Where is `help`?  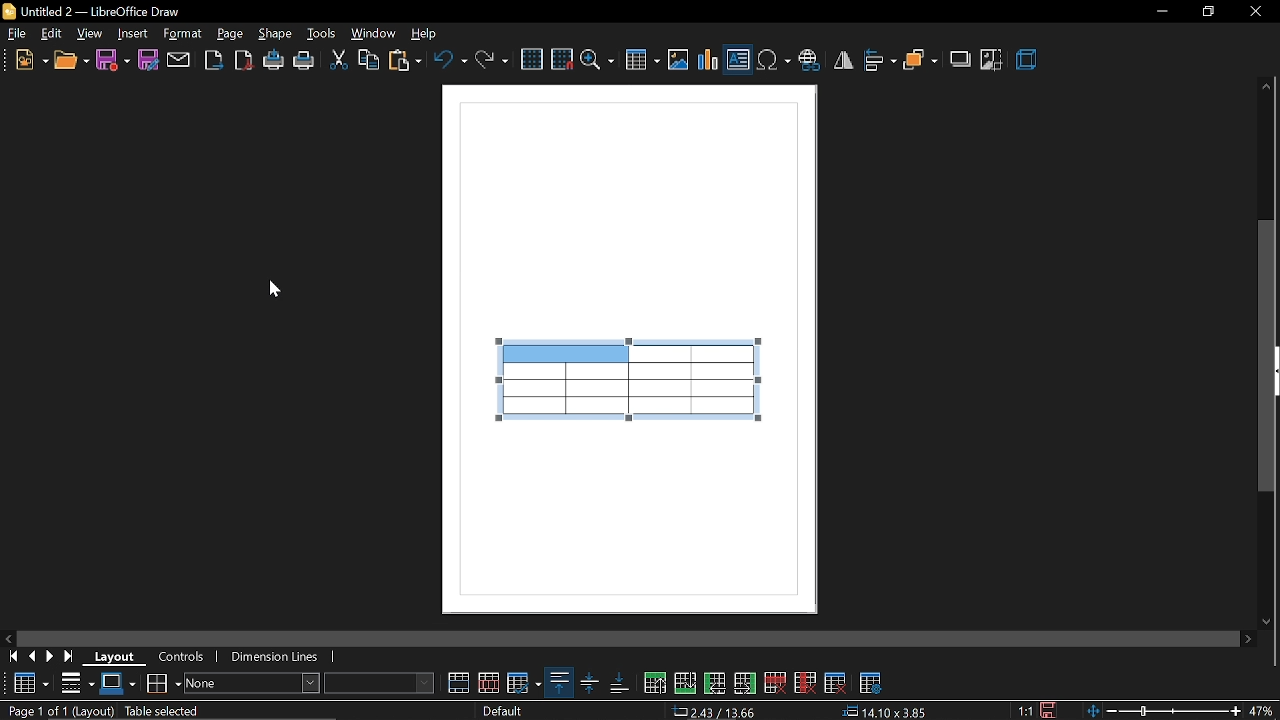 help is located at coordinates (429, 33).